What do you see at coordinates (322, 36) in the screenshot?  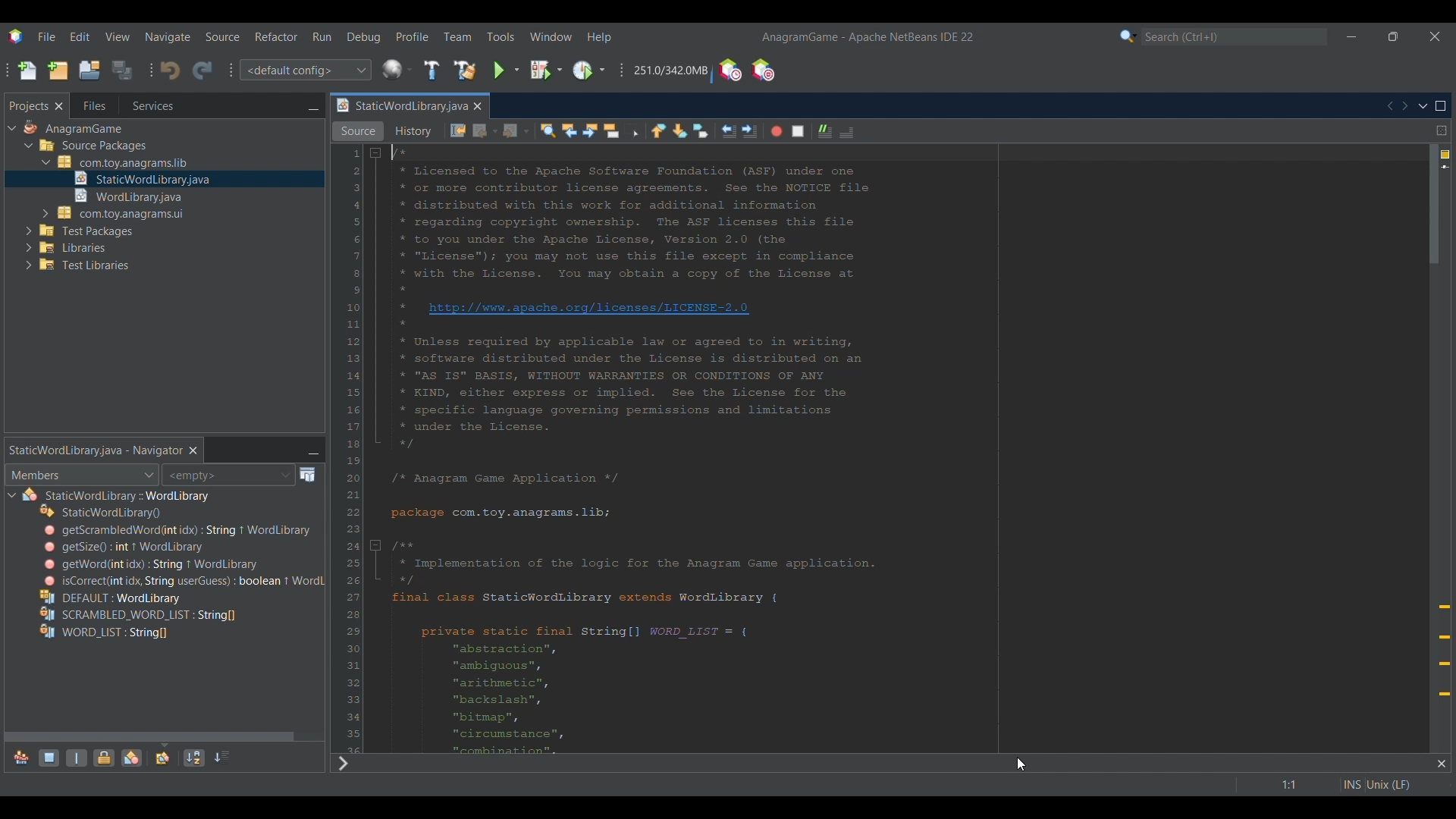 I see `Run menu` at bounding box center [322, 36].